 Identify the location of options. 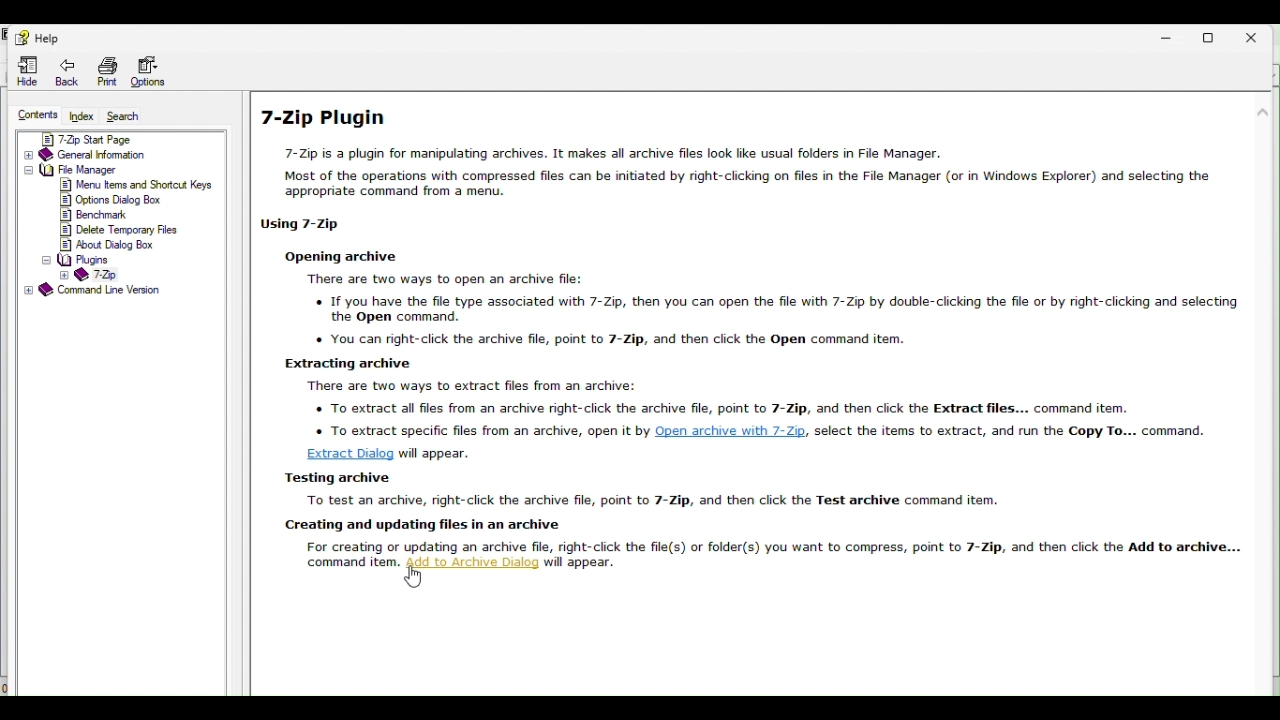
(113, 201).